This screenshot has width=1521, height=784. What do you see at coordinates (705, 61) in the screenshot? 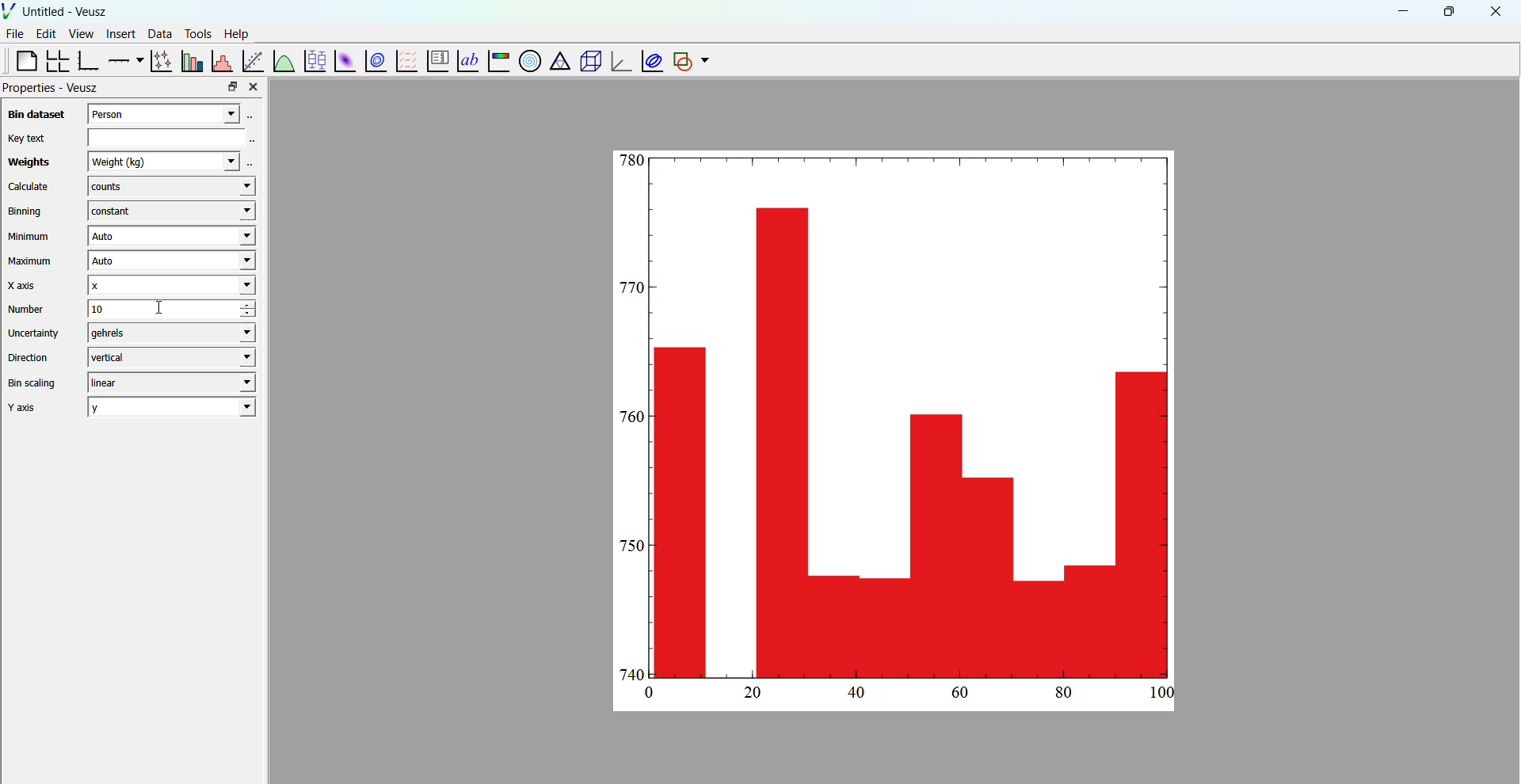
I see `dropdown` at bounding box center [705, 61].